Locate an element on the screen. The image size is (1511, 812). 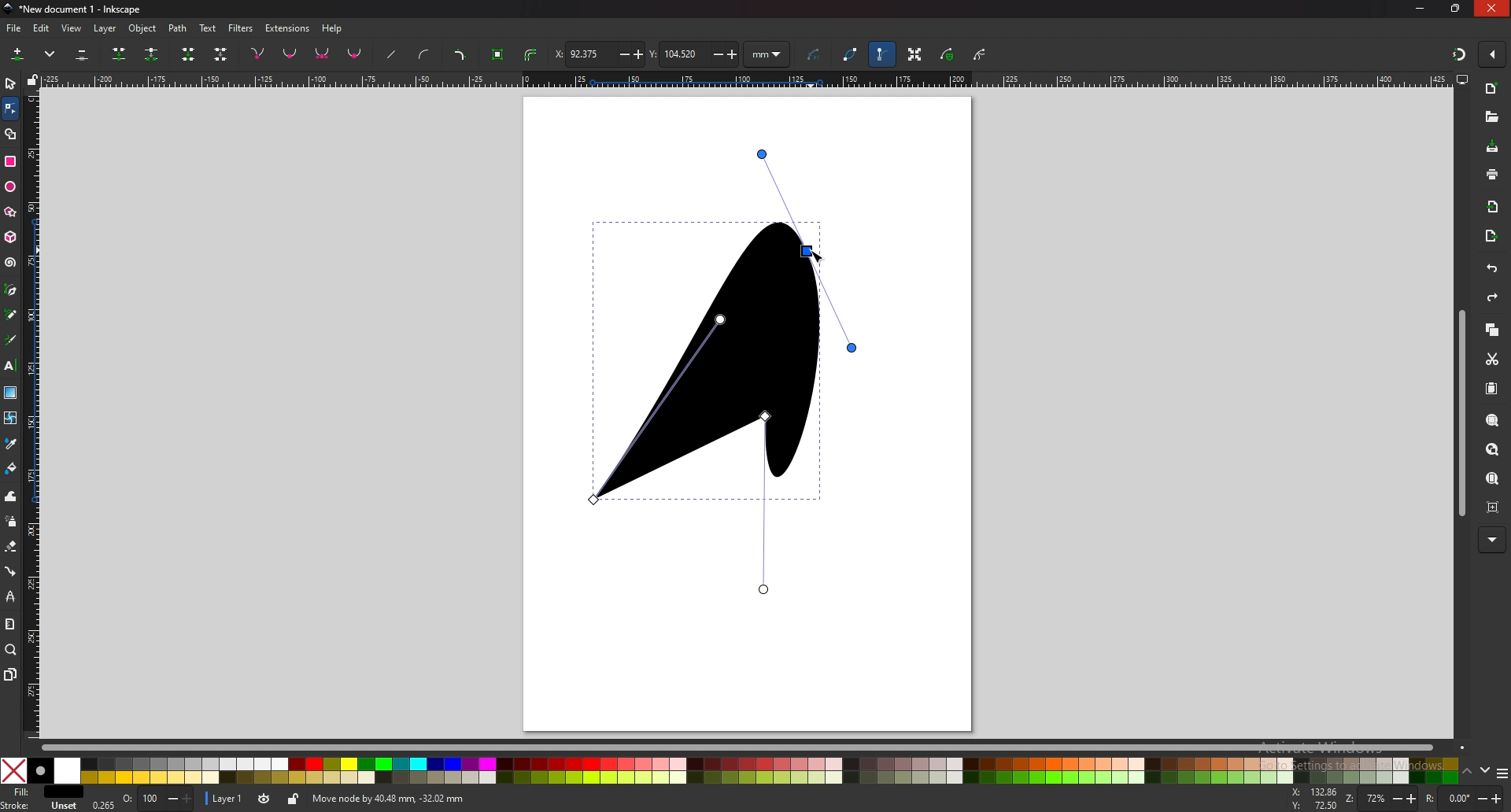
x coordinate is located at coordinates (597, 54).